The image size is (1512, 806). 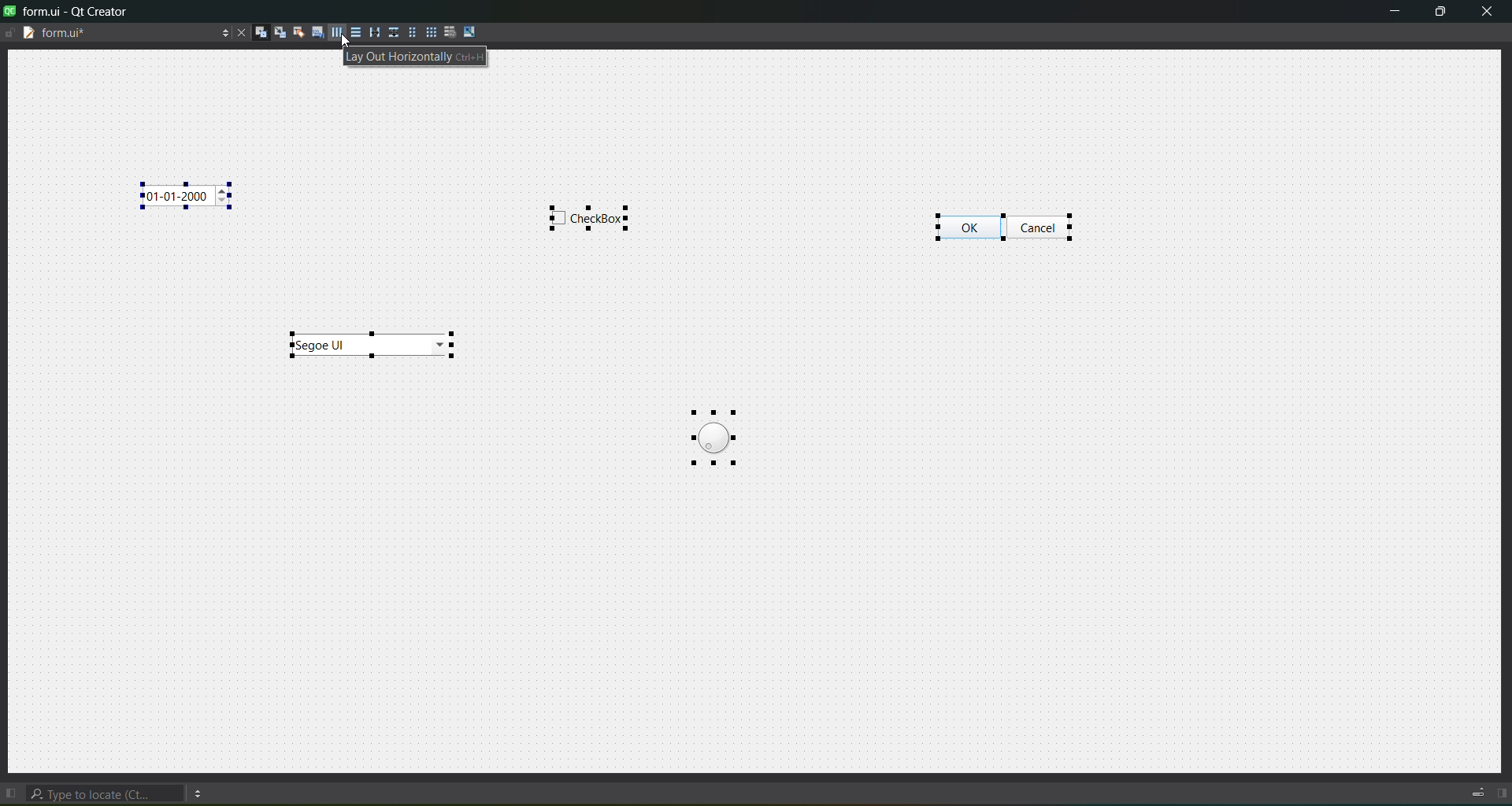 What do you see at coordinates (1492, 13) in the screenshot?
I see `close` at bounding box center [1492, 13].